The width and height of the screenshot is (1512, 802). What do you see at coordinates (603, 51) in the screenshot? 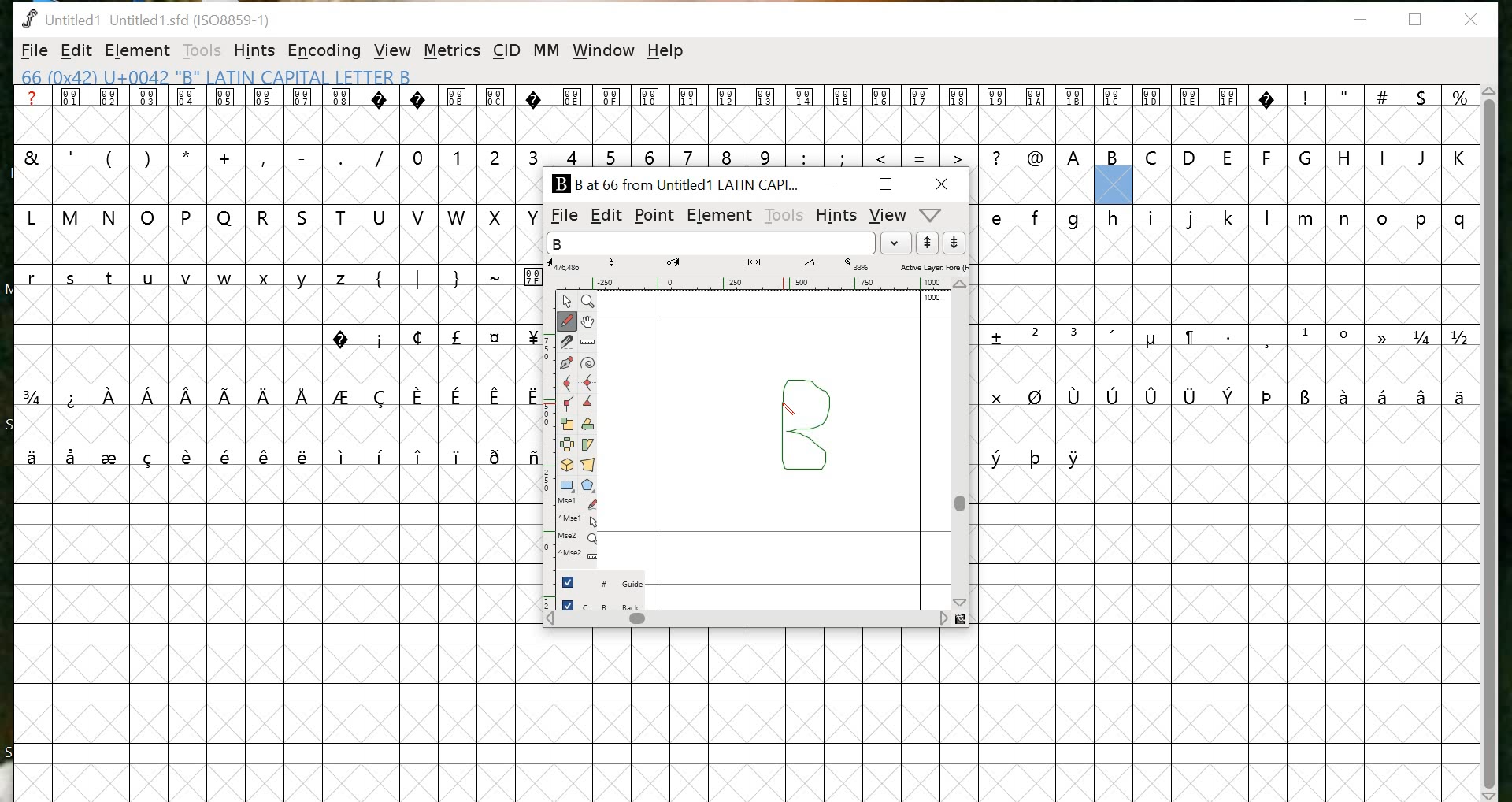
I see `window` at bounding box center [603, 51].